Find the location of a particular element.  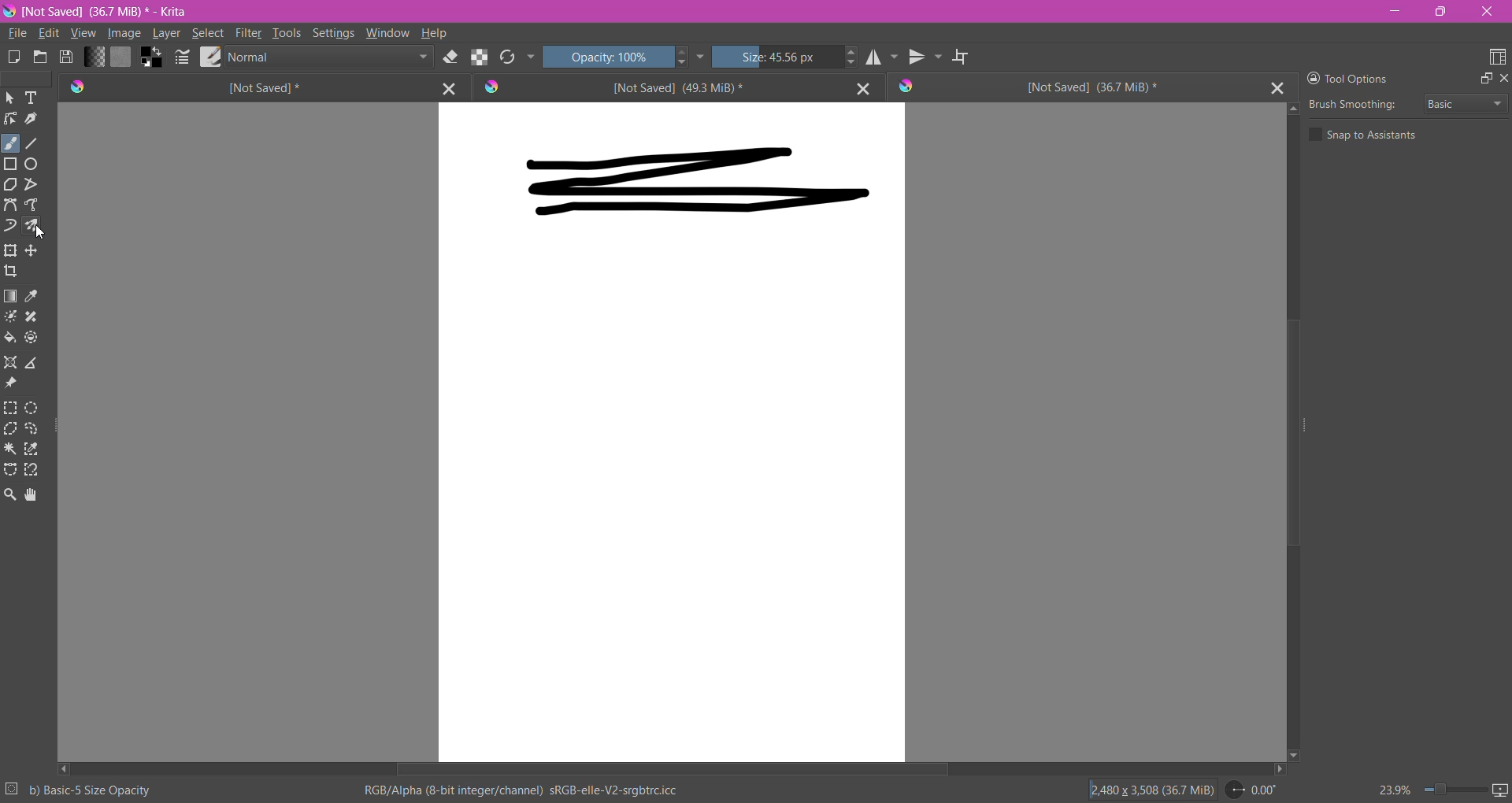

Bezier Curve Selection Tool is located at coordinates (11, 470).